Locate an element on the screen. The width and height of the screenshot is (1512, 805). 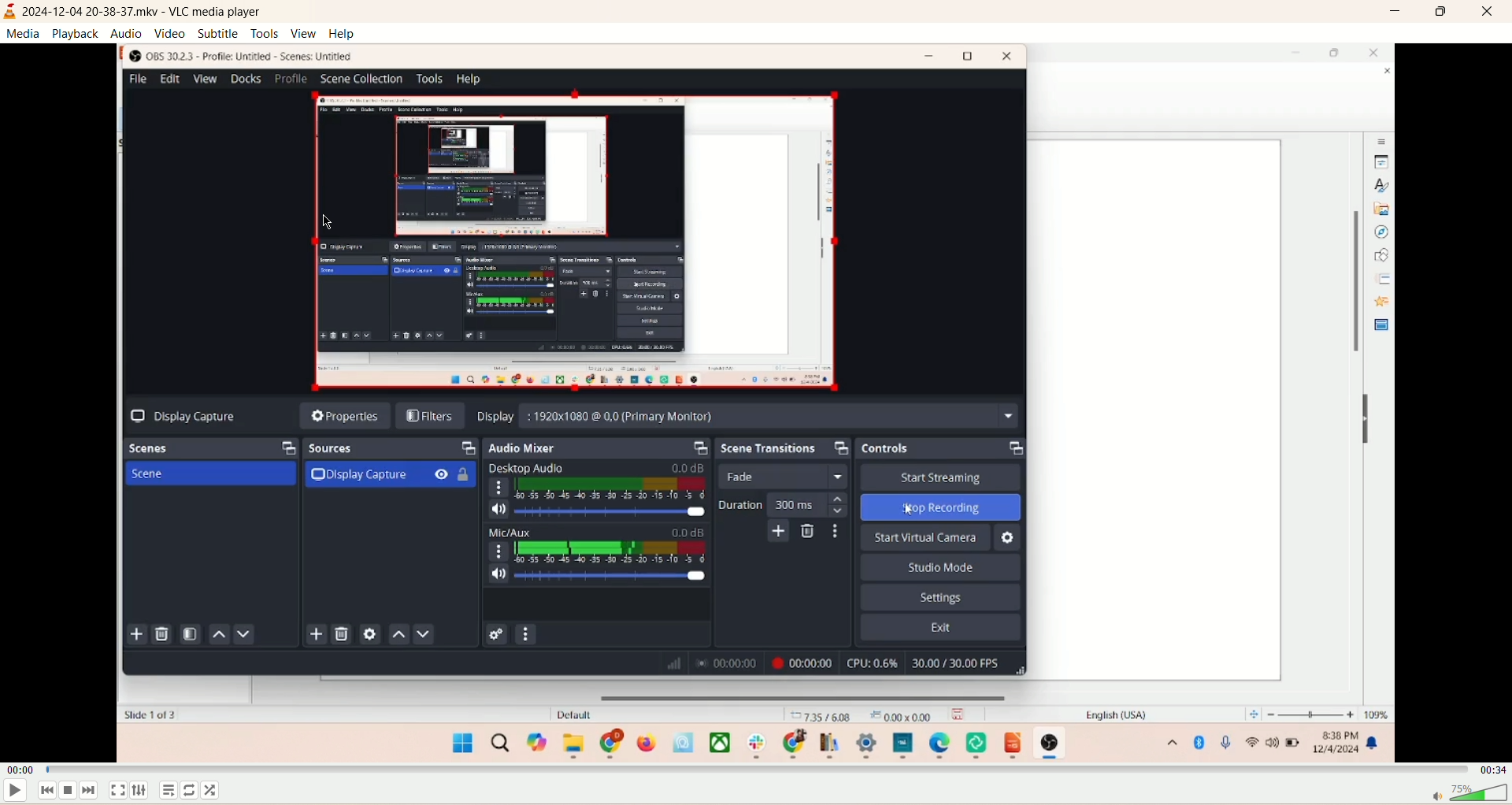
volume bar is located at coordinates (1466, 793).